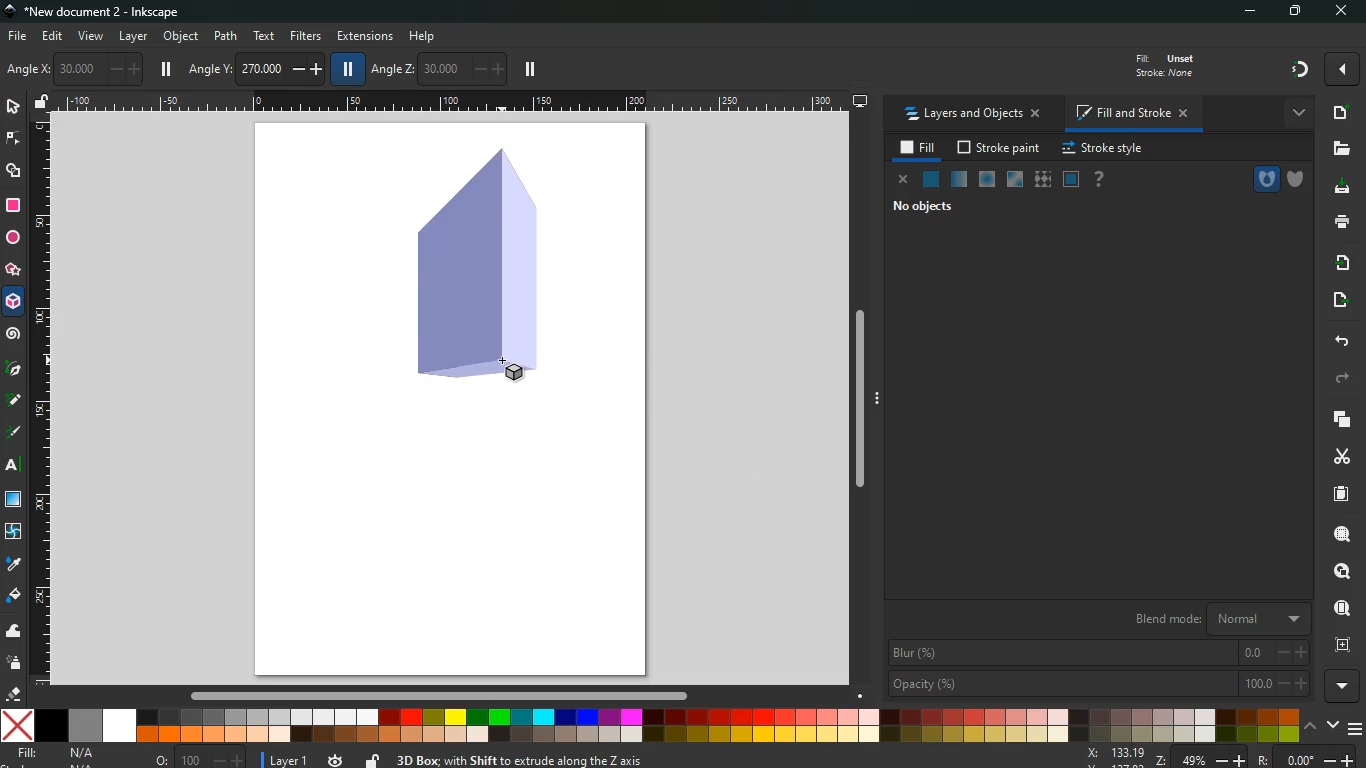 This screenshot has height=768, width=1366. I want to click on window, so click(1013, 180).